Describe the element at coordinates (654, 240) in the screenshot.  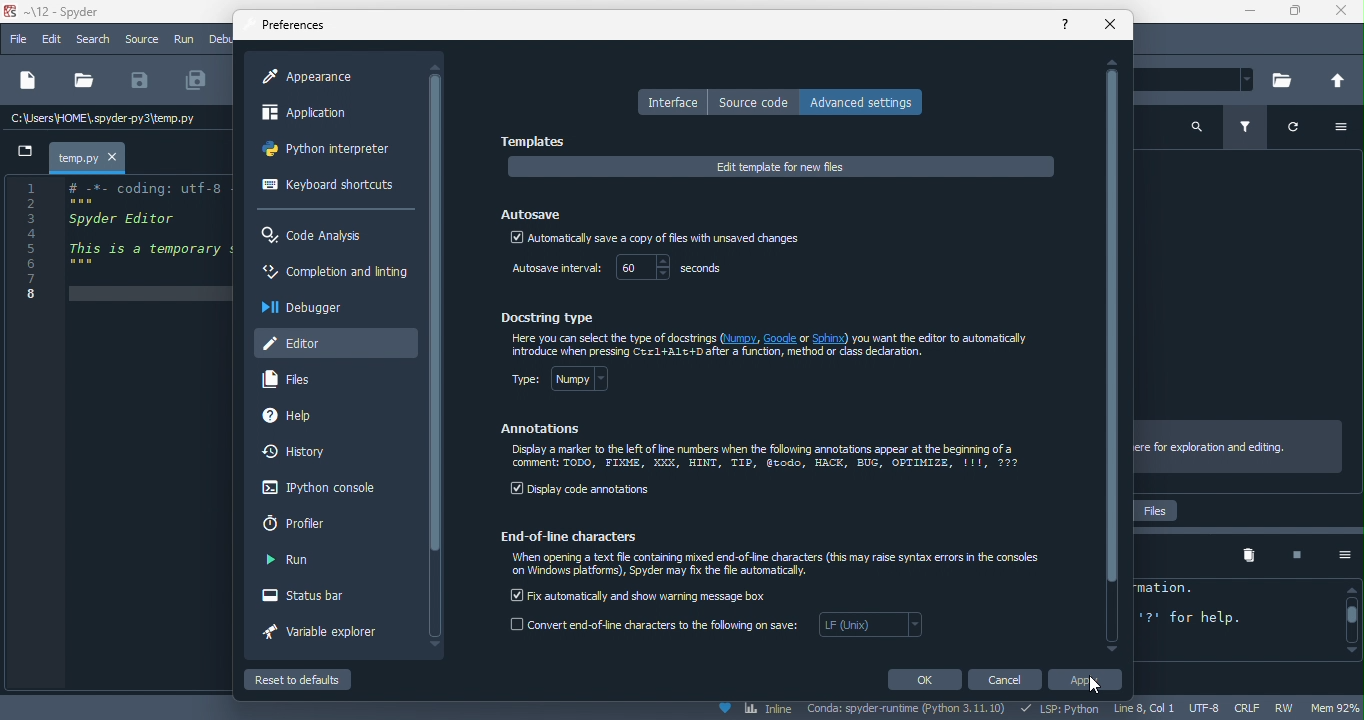
I see `automatically save a copy of files with unsaved charges` at that location.